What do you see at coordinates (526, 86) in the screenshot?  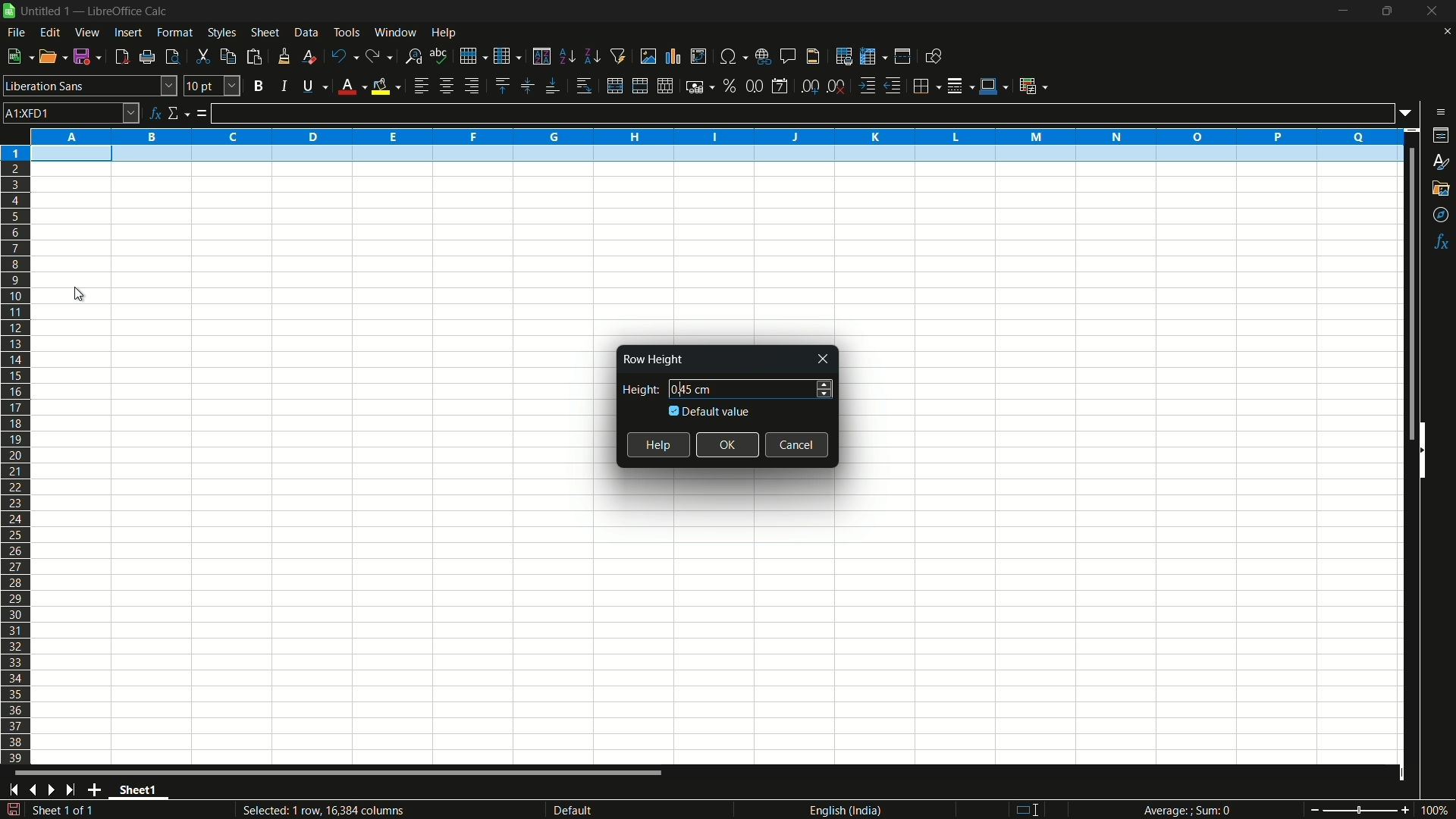 I see `center vertically` at bounding box center [526, 86].